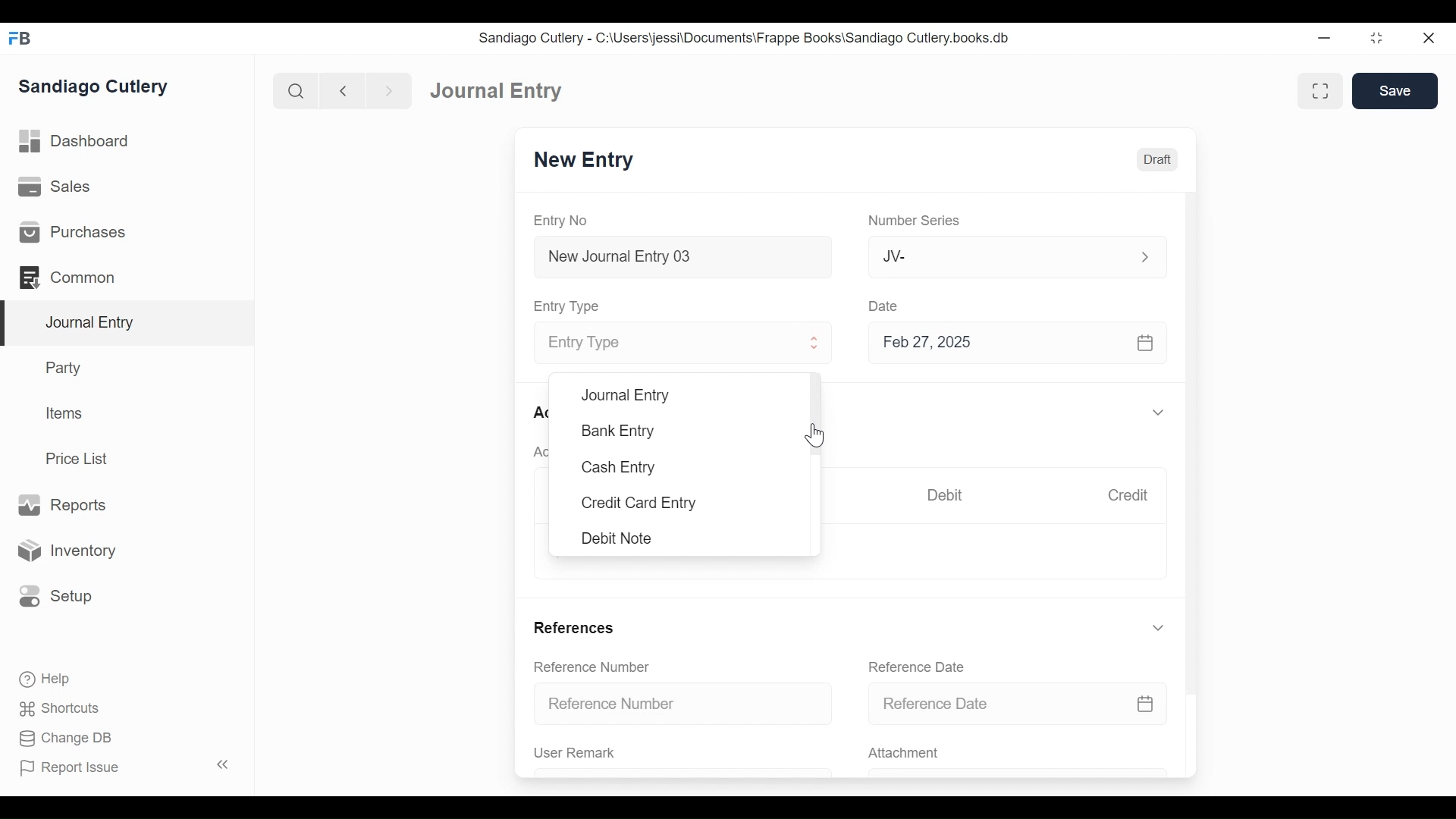 The height and width of the screenshot is (819, 1456). Describe the element at coordinates (745, 37) in the screenshot. I see `Sandiago Cutlery - C:\Users\jessi\Documents\Frappe Books\Sandiago Cutlery.books.db` at that location.